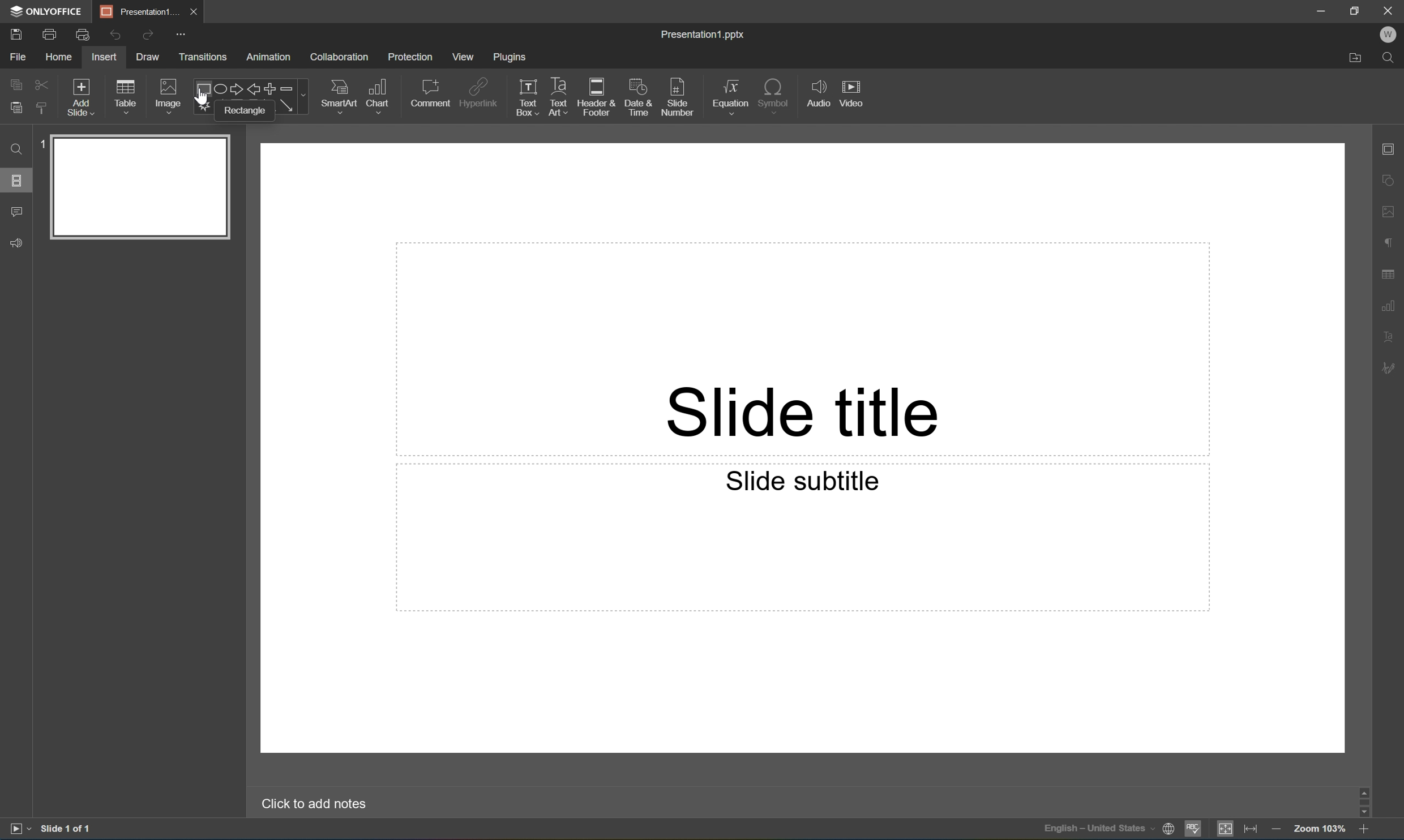 This screenshot has width=1404, height=840. I want to click on English-United States, so click(1097, 830).